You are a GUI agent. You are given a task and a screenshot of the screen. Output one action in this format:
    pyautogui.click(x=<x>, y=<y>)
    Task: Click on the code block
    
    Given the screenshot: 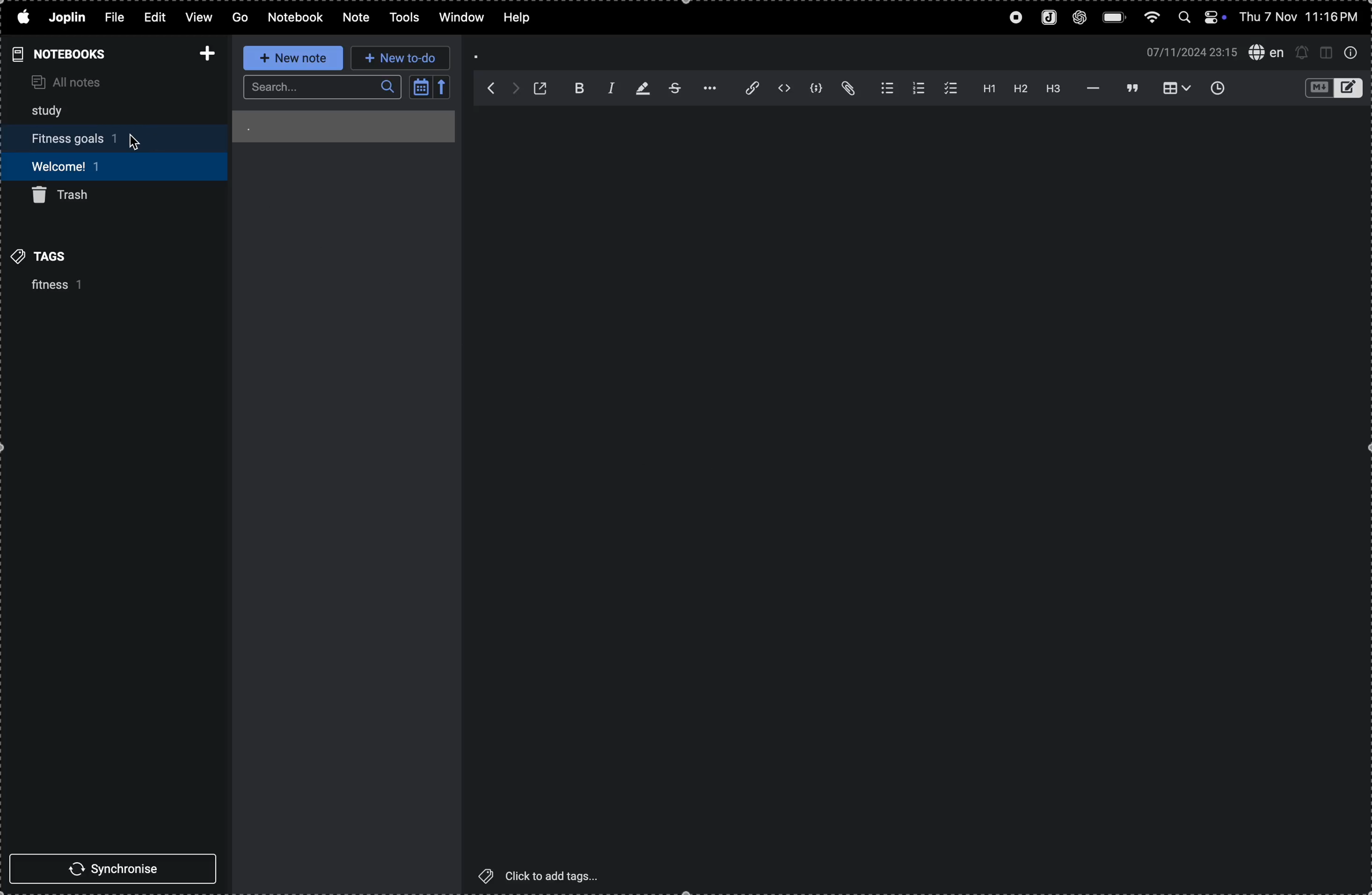 What is the action you would take?
    pyautogui.click(x=816, y=88)
    